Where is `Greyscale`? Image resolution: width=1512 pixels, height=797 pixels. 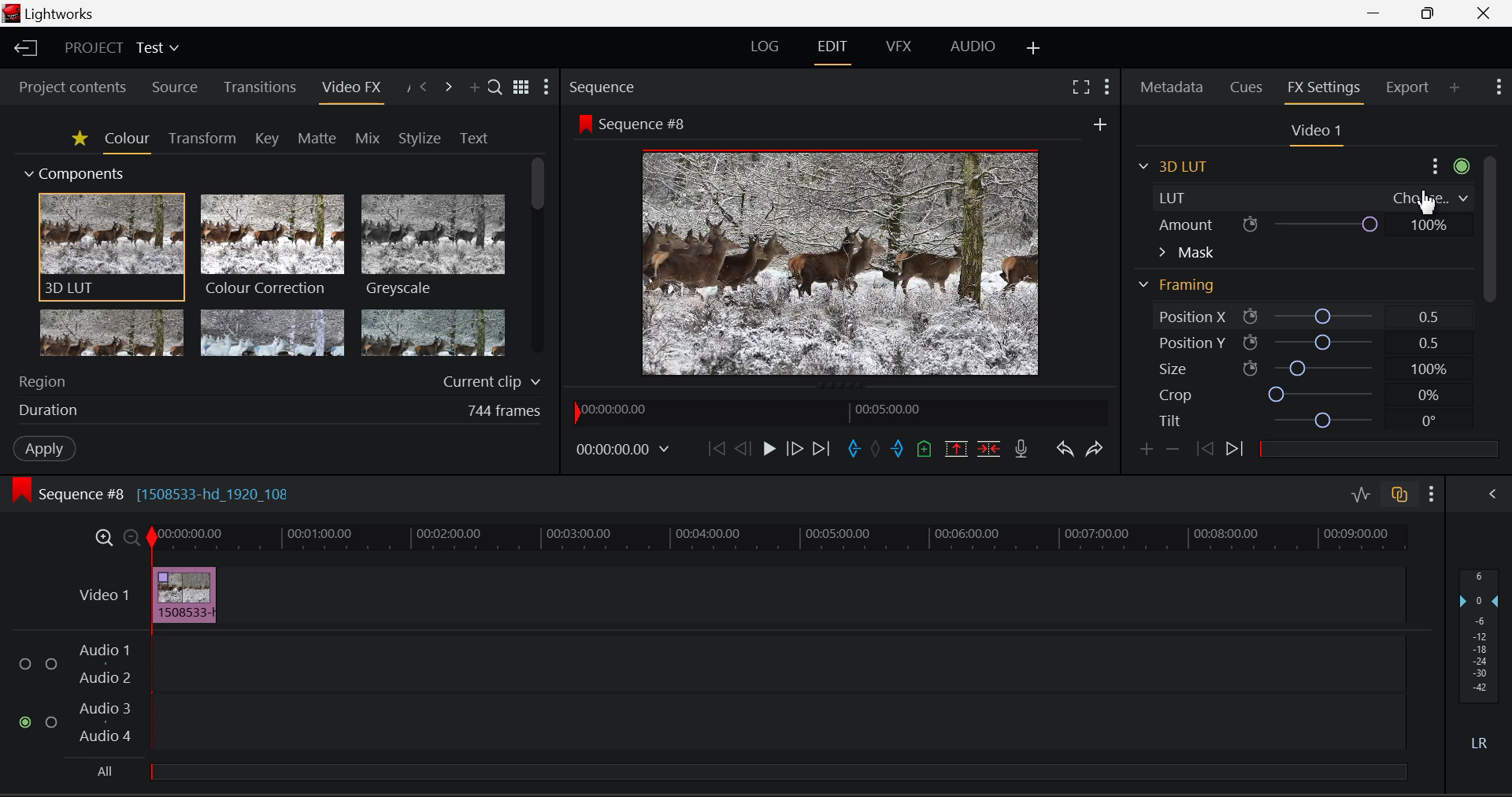 Greyscale is located at coordinates (432, 247).